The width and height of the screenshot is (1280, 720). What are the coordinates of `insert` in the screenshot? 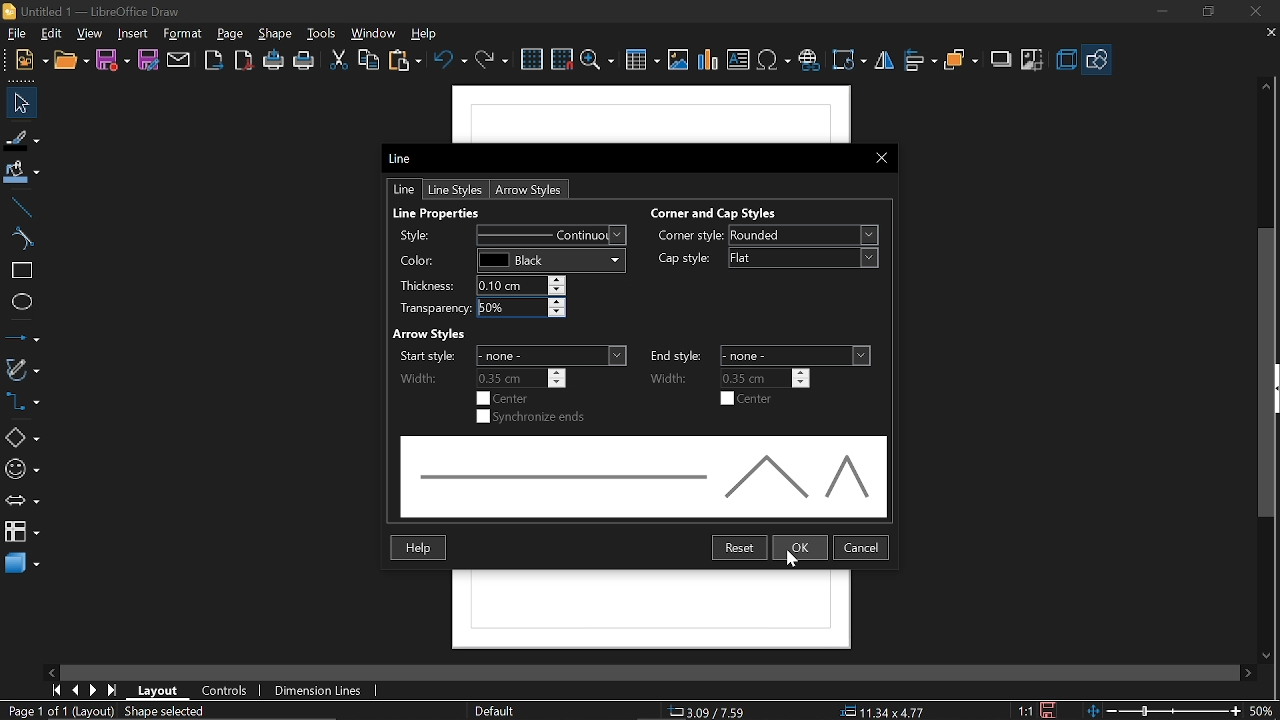 It's located at (136, 34).